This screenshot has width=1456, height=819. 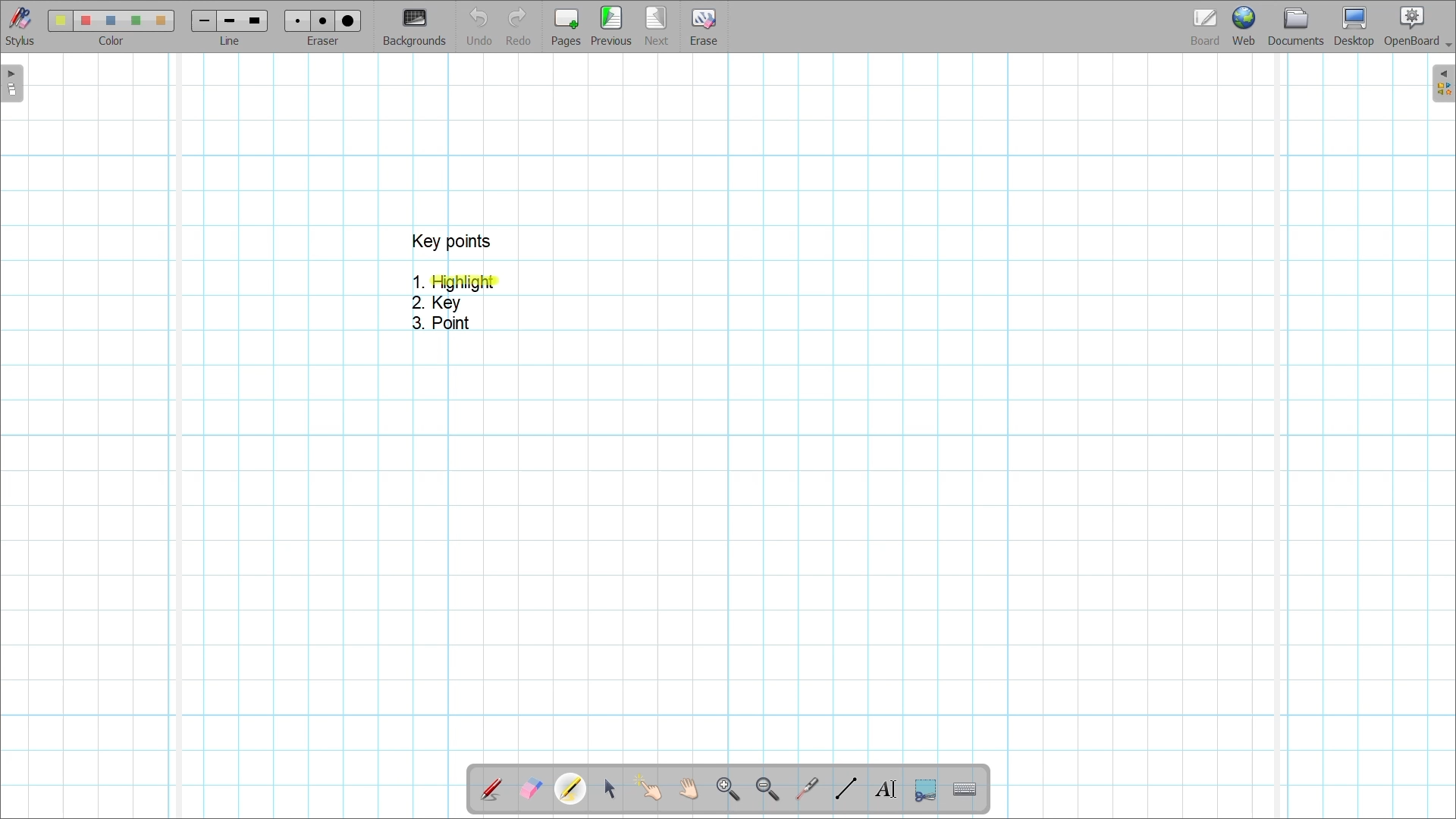 What do you see at coordinates (532, 789) in the screenshot?
I see `Erase annotation` at bounding box center [532, 789].